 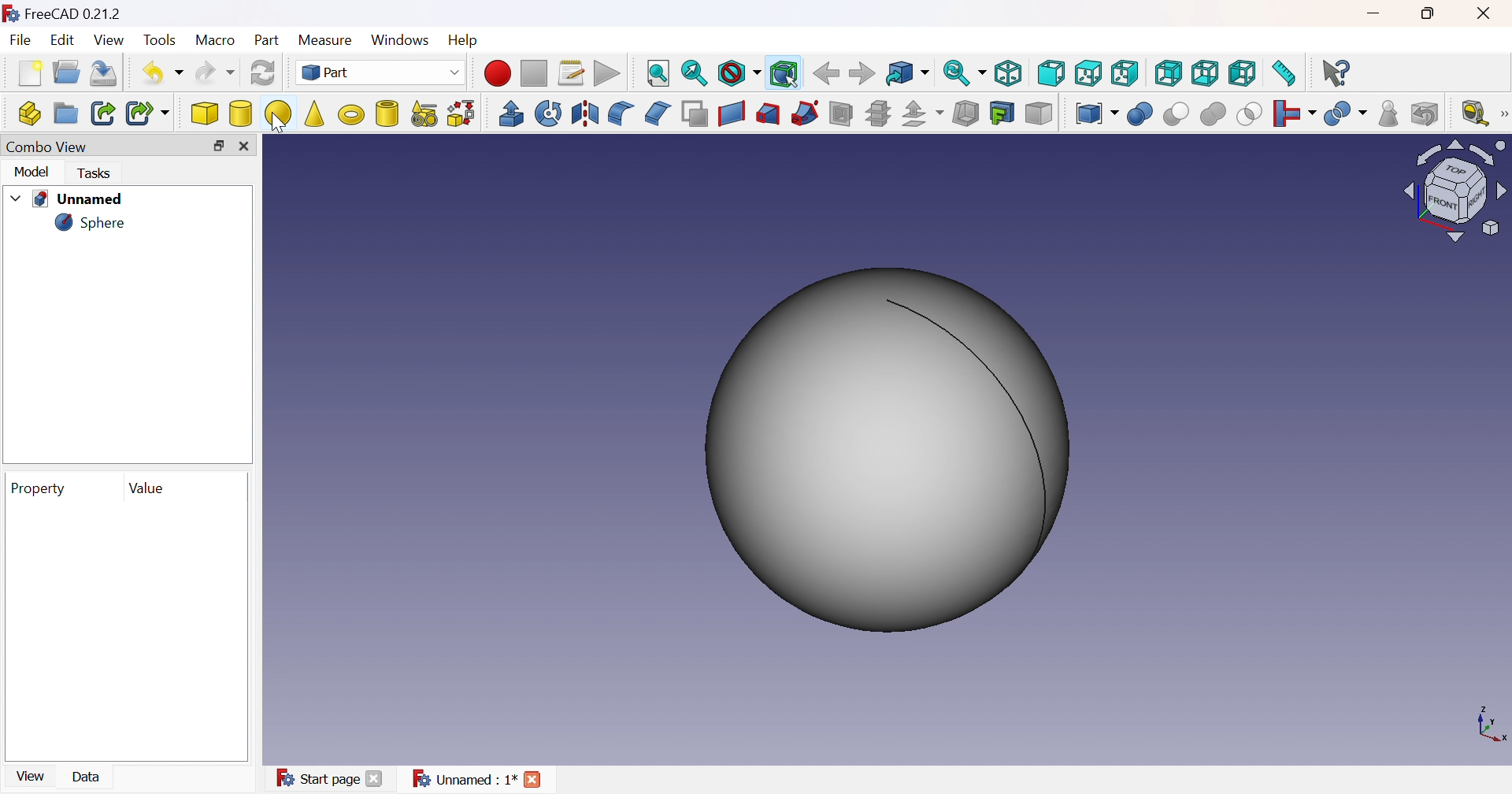 I want to click on sphere, so click(x=94, y=226).